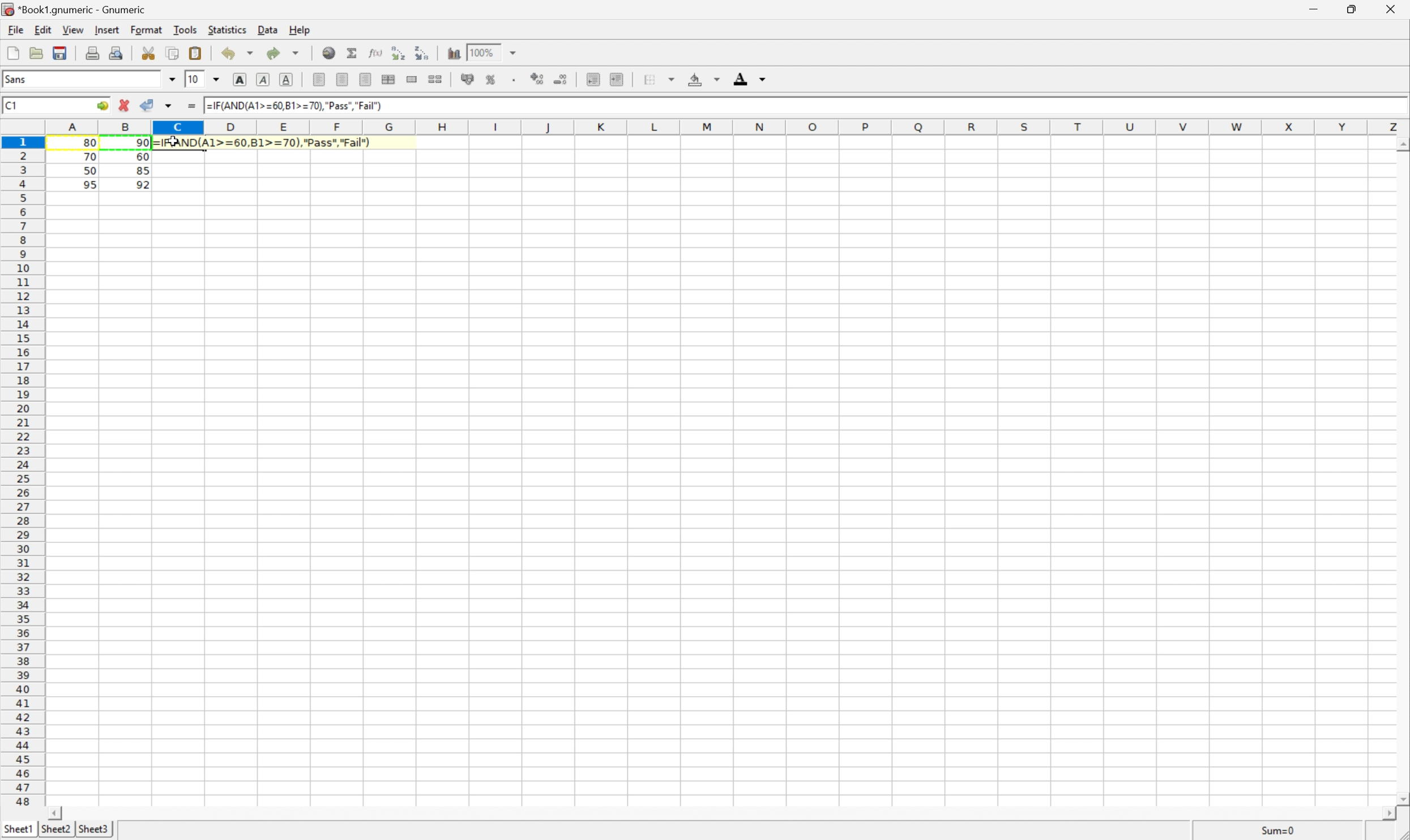 The width and height of the screenshot is (1410, 840). What do you see at coordinates (59, 809) in the screenshot?
I see `Scroll Left` at bounding box center [59, 809].